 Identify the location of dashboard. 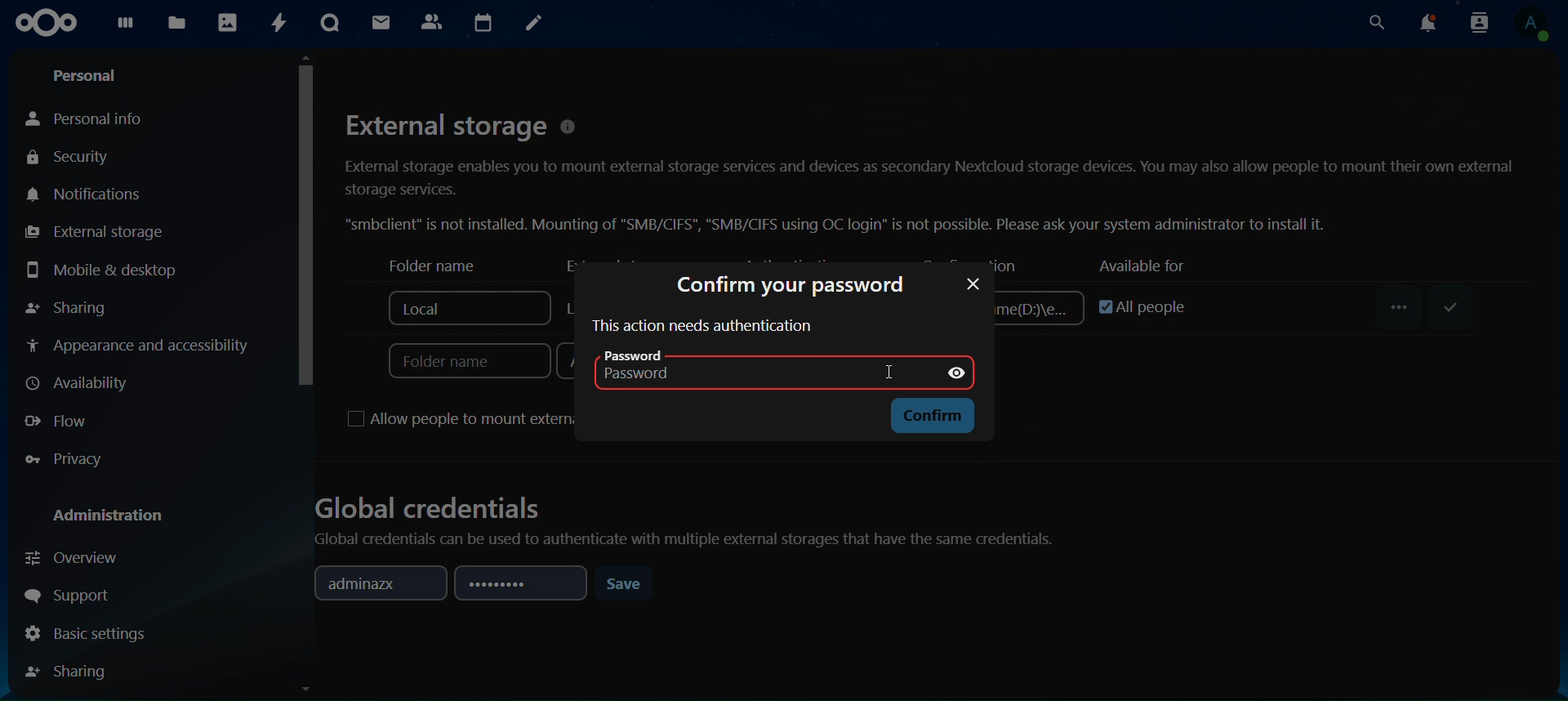
(127, 26).